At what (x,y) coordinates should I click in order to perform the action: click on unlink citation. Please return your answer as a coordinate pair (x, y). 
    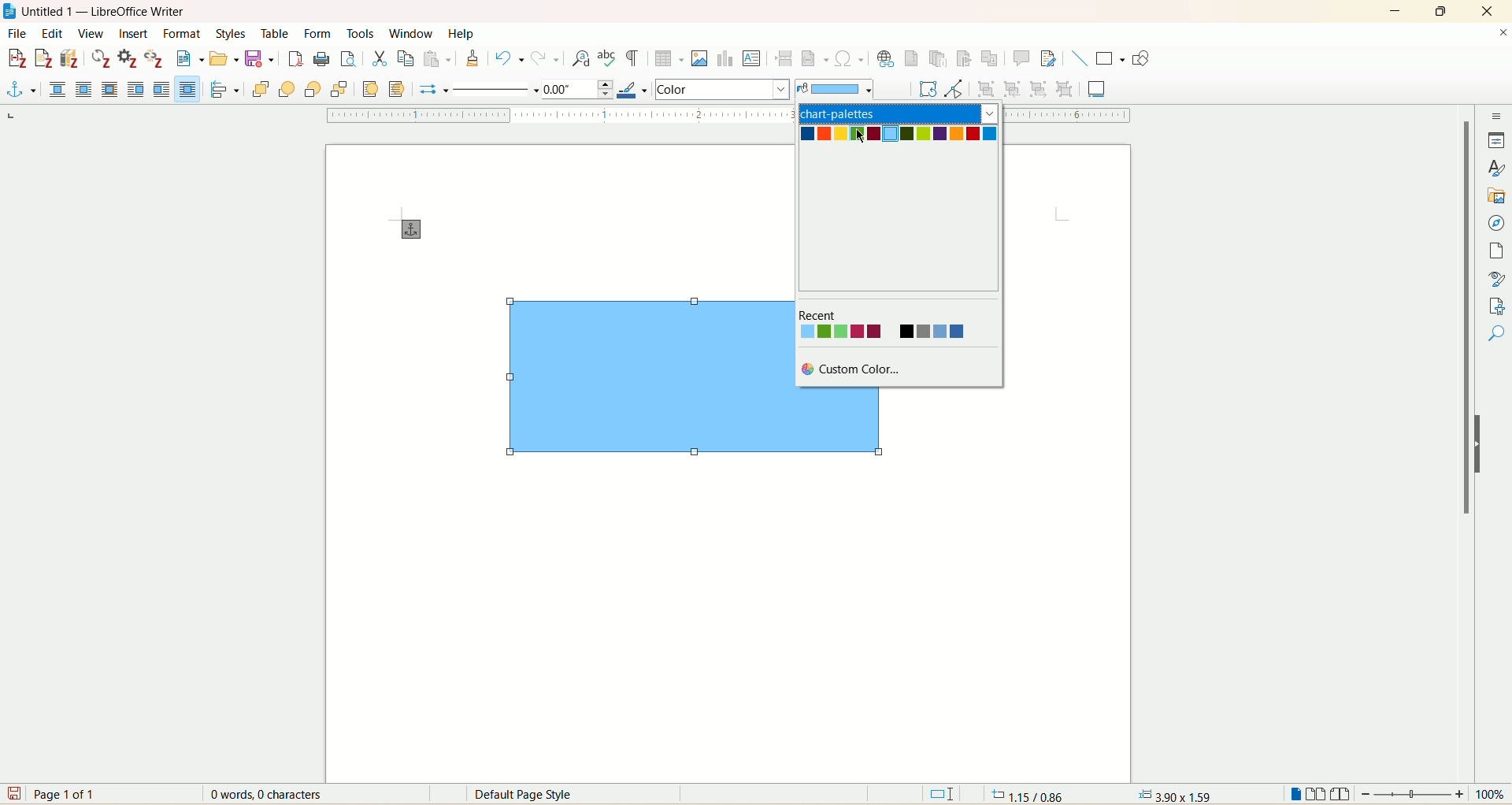
    Looking at the image, I should click on (153, 58).